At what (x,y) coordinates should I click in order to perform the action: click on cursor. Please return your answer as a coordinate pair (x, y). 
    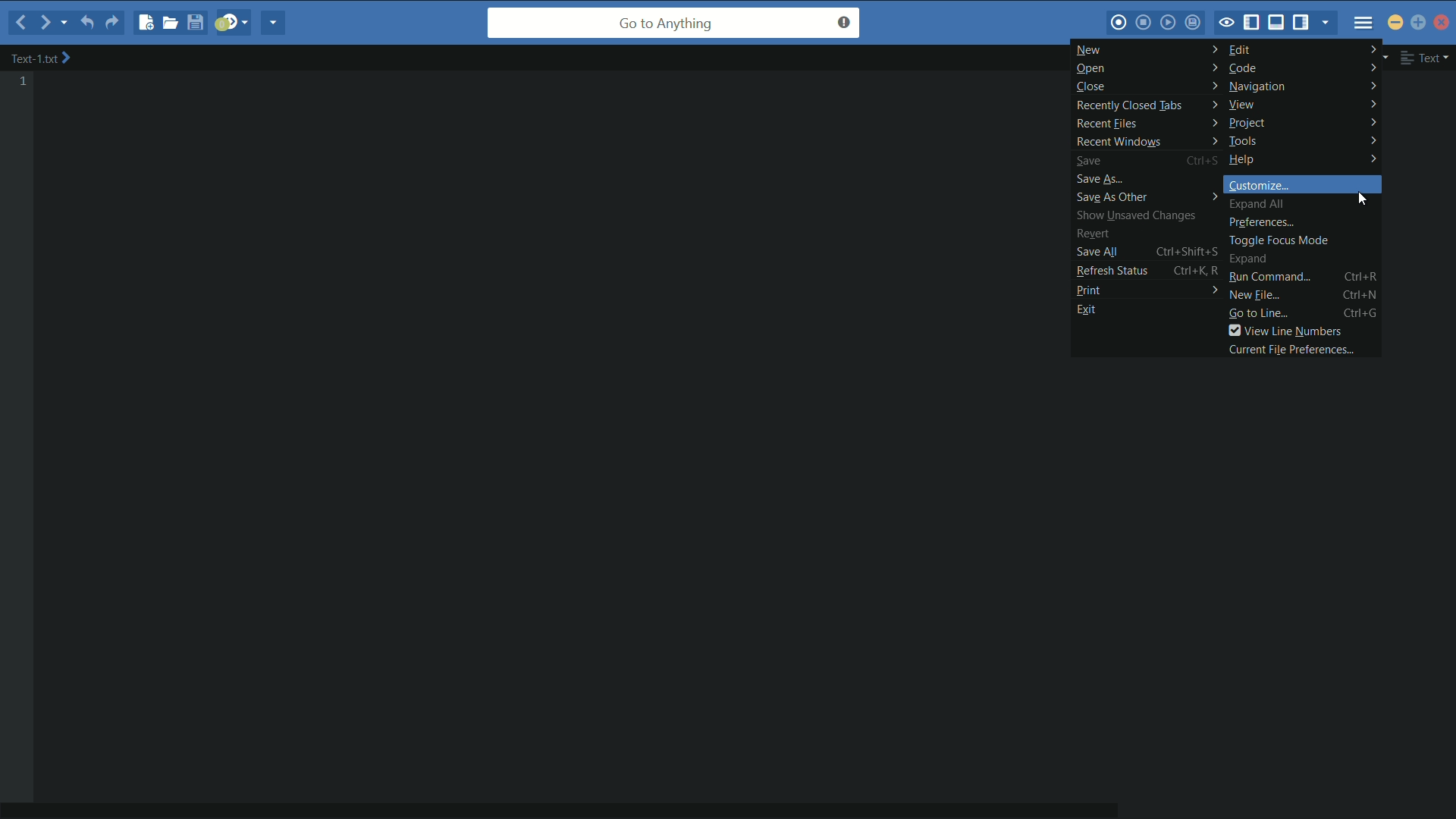
    Looking at the image, I should click on (1367, 199).